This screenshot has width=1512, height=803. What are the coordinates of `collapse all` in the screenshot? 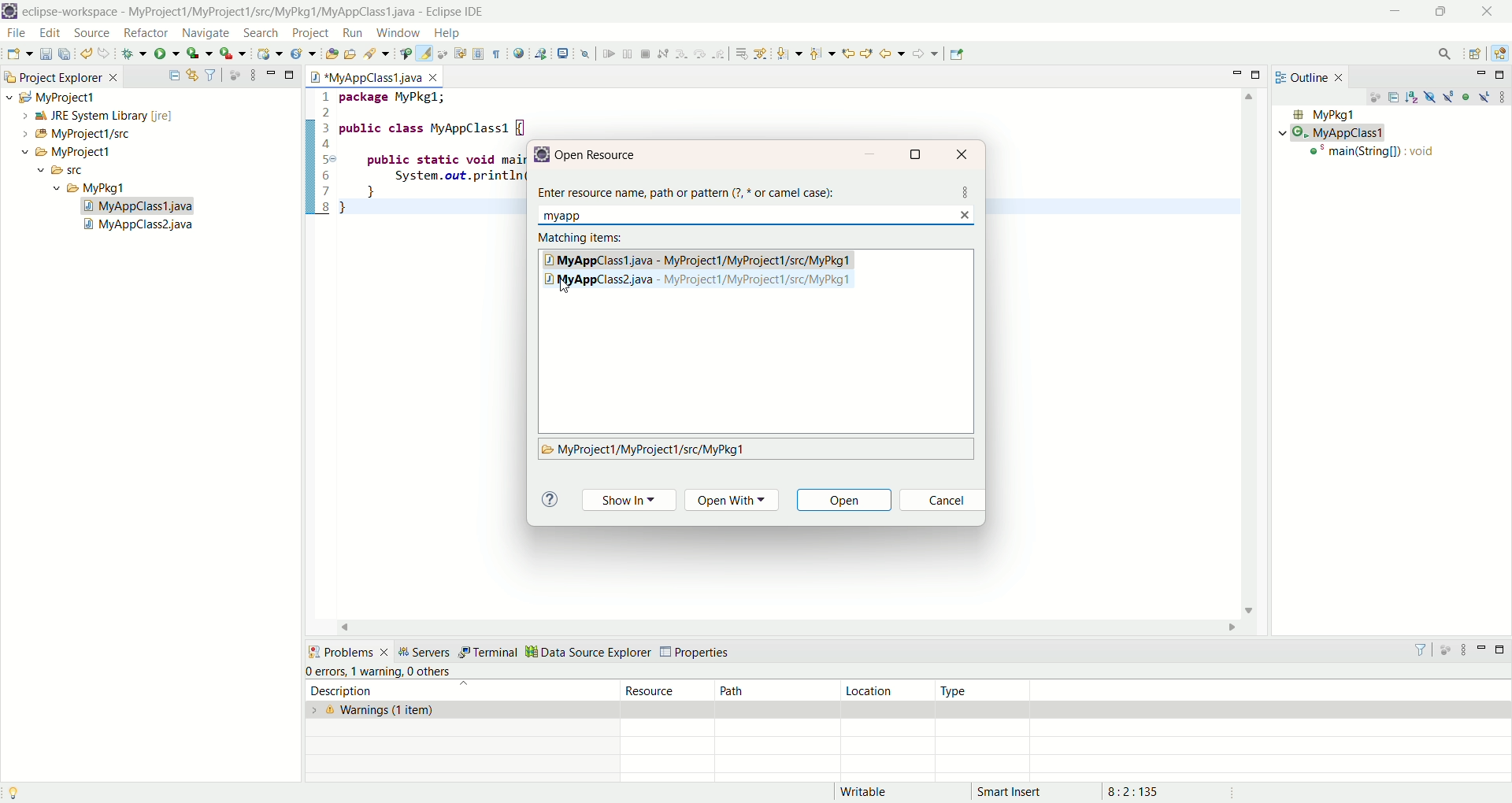 It's located at (1395, 99).